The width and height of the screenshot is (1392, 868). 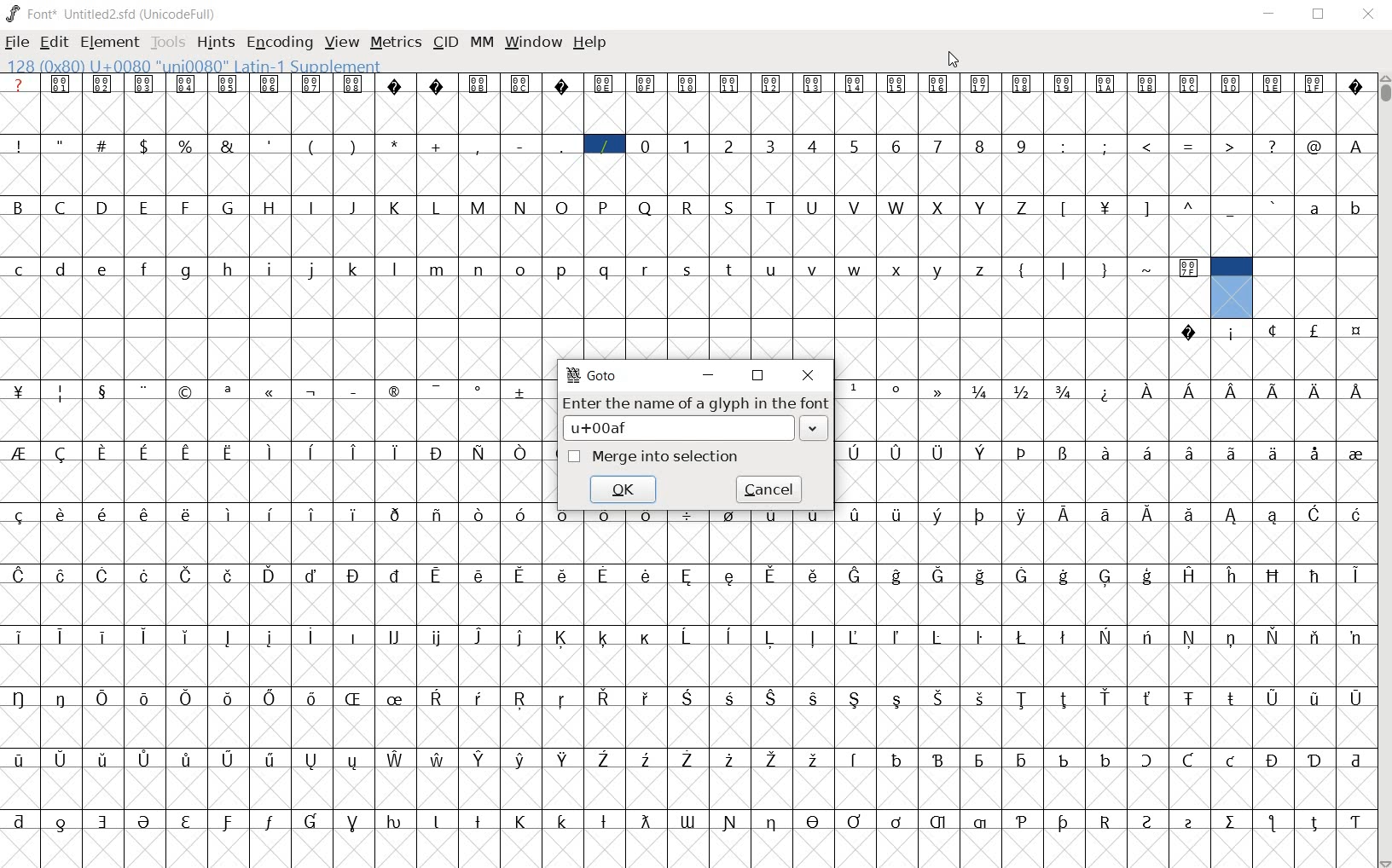 I want to click on P, so click(x=606, y=206).